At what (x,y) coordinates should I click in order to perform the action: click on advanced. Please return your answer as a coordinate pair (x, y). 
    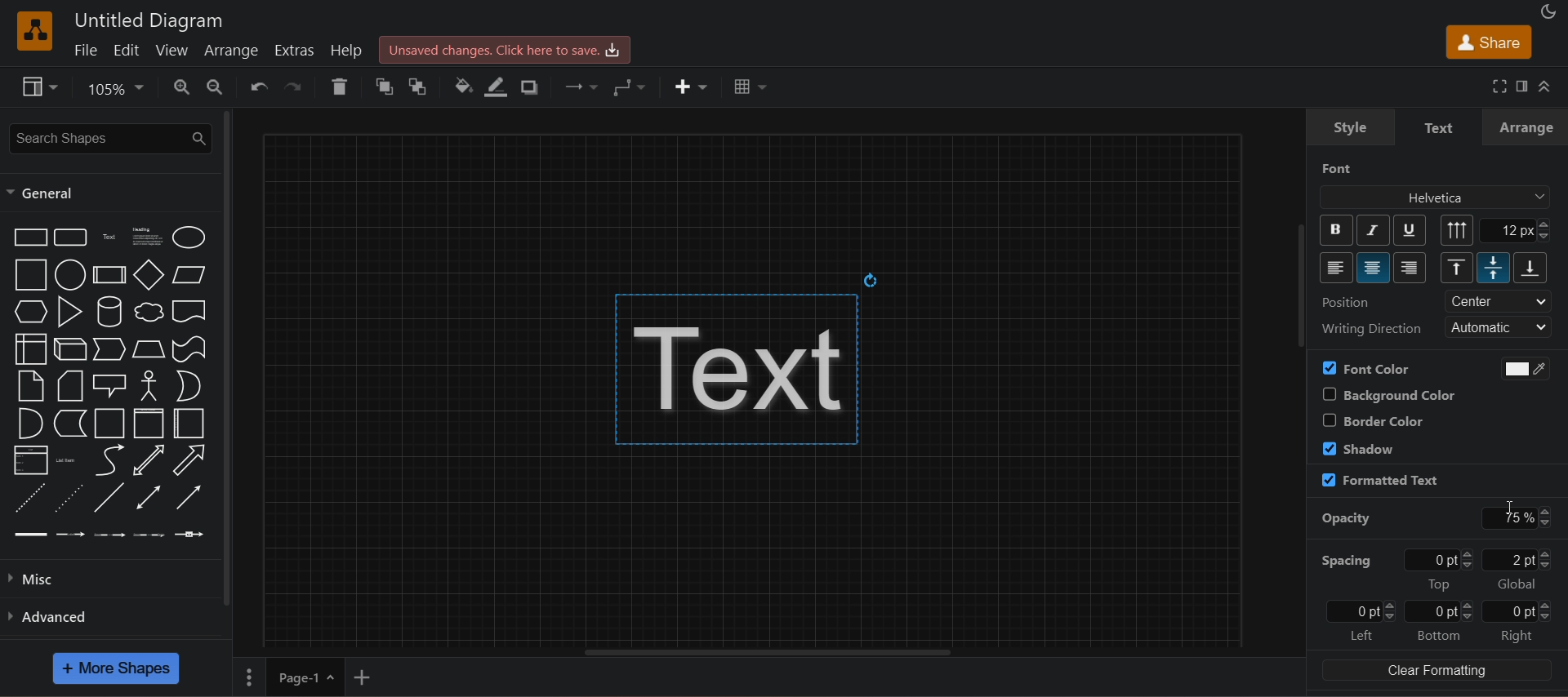
    Looking at the image, I should click on (108, 615).